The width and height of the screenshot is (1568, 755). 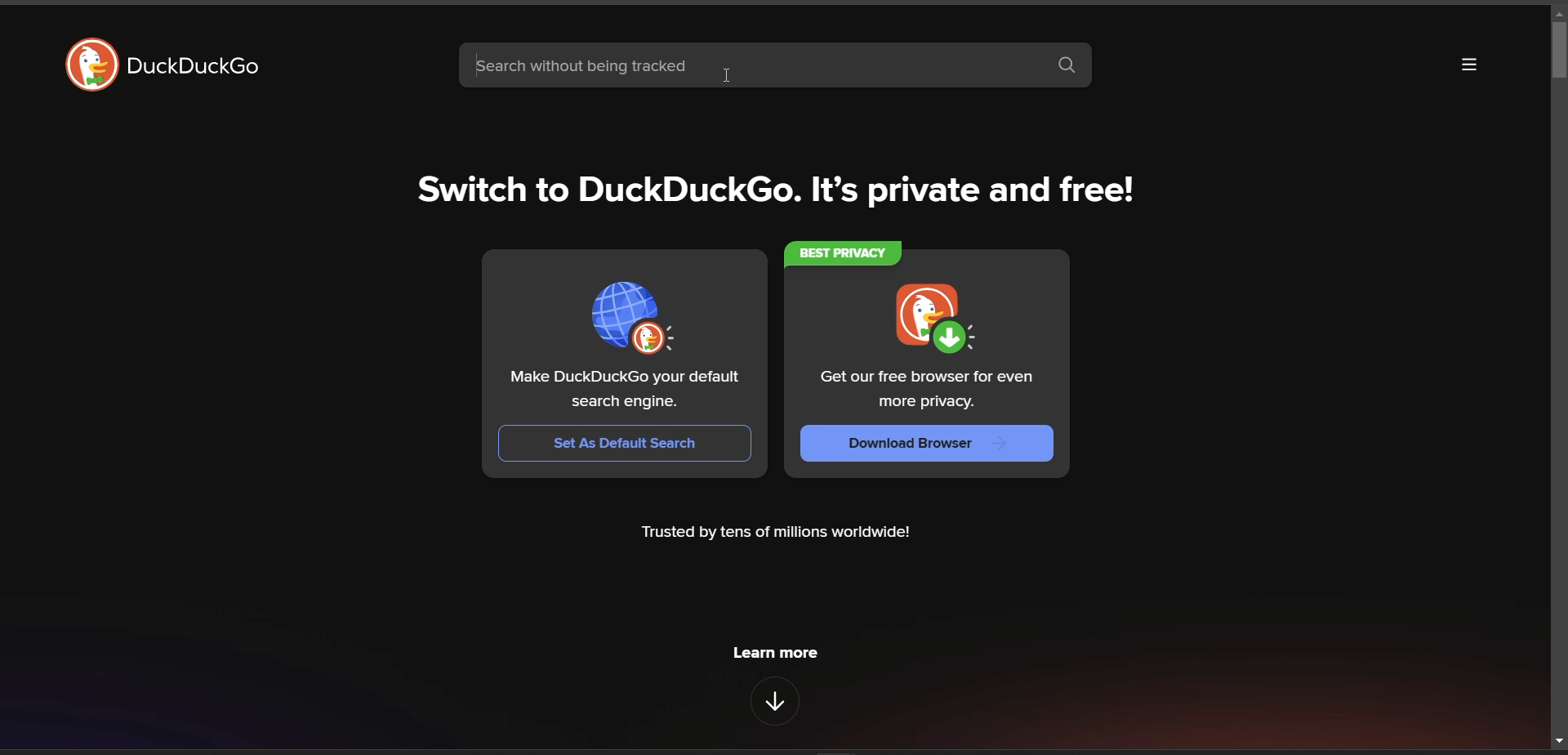 What do you see at coordinates (929, 391) in the screenshot?
I see `Get our free browser for even
more privacy.` at bounding box center [929, 391].